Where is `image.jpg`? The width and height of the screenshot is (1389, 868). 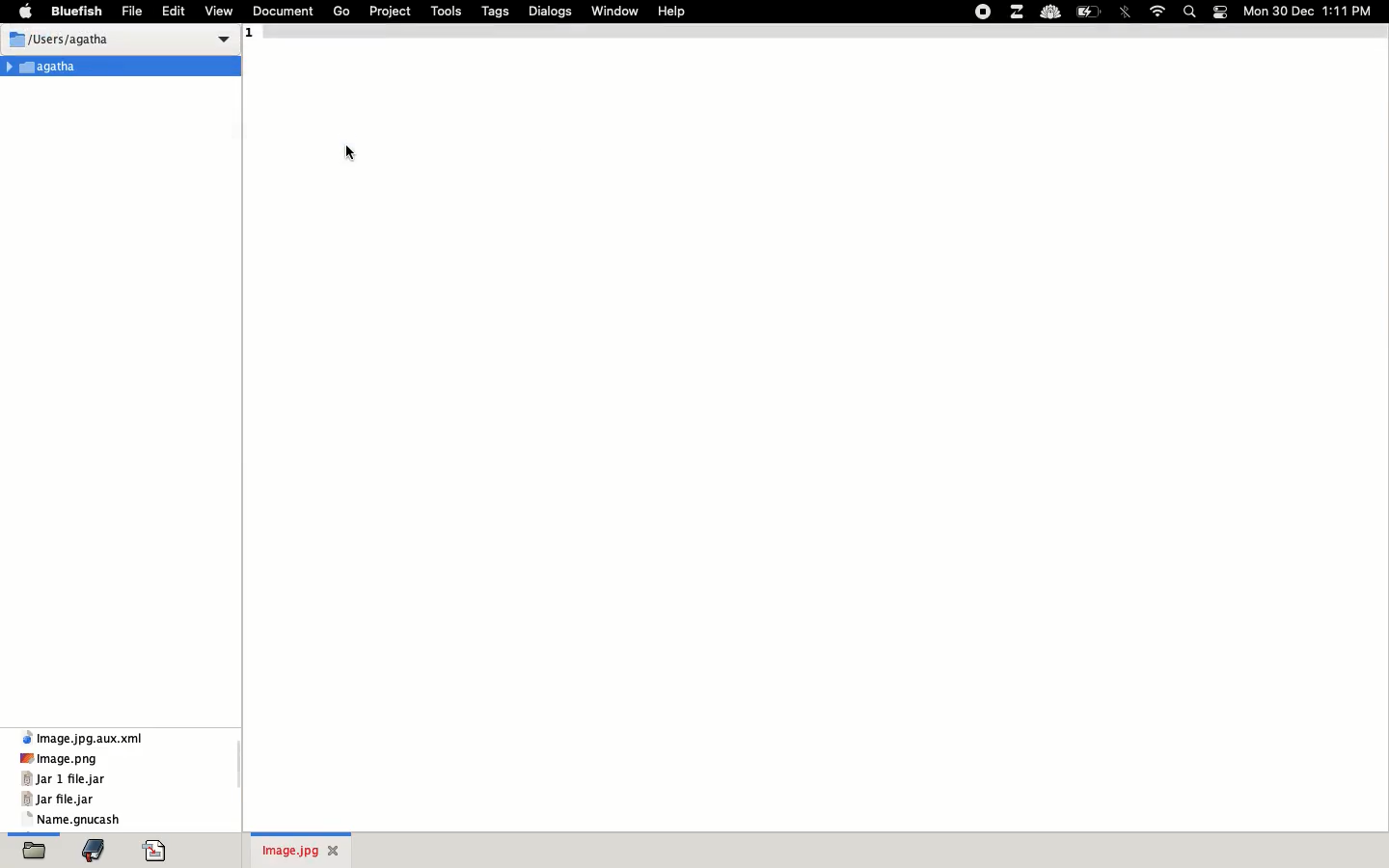 image.jpg is located at coordinates (307, 852).